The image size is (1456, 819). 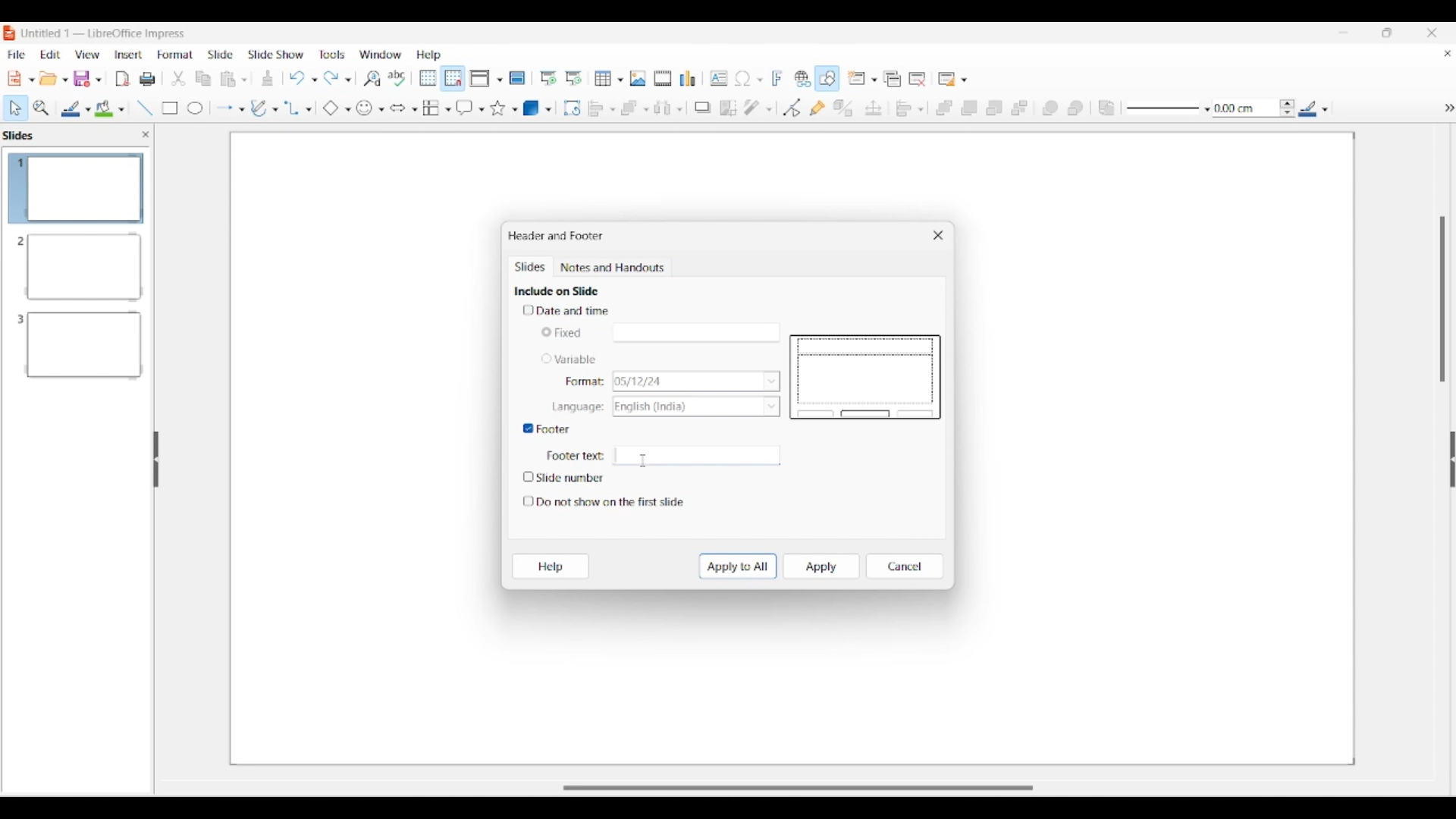 I want to click on Toggle extrusion, so click(x=844, y=108).